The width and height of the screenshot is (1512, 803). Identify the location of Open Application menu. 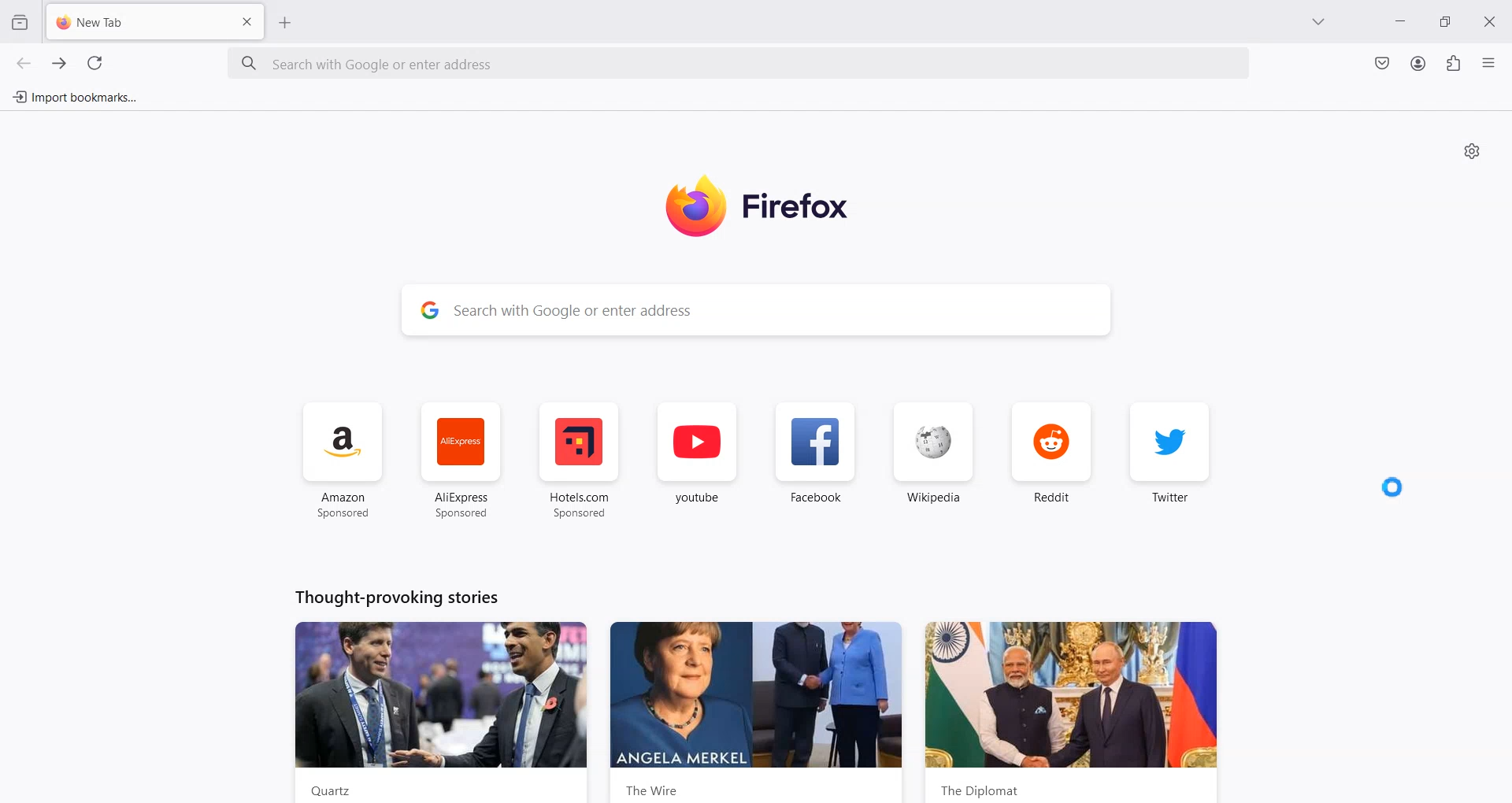
(1490, 62).